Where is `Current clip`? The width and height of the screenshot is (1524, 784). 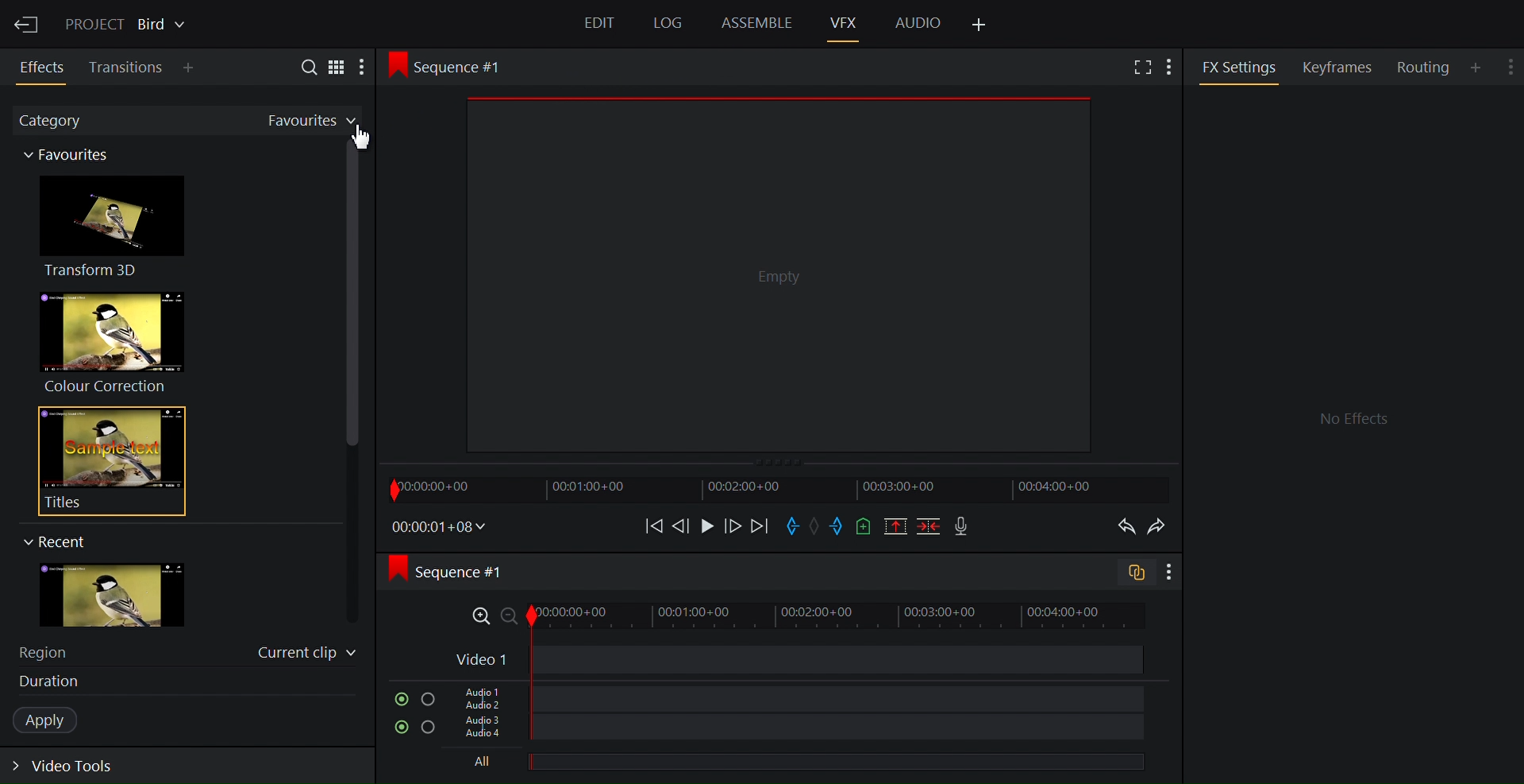 Current clip is located at coordinates (307, 655).